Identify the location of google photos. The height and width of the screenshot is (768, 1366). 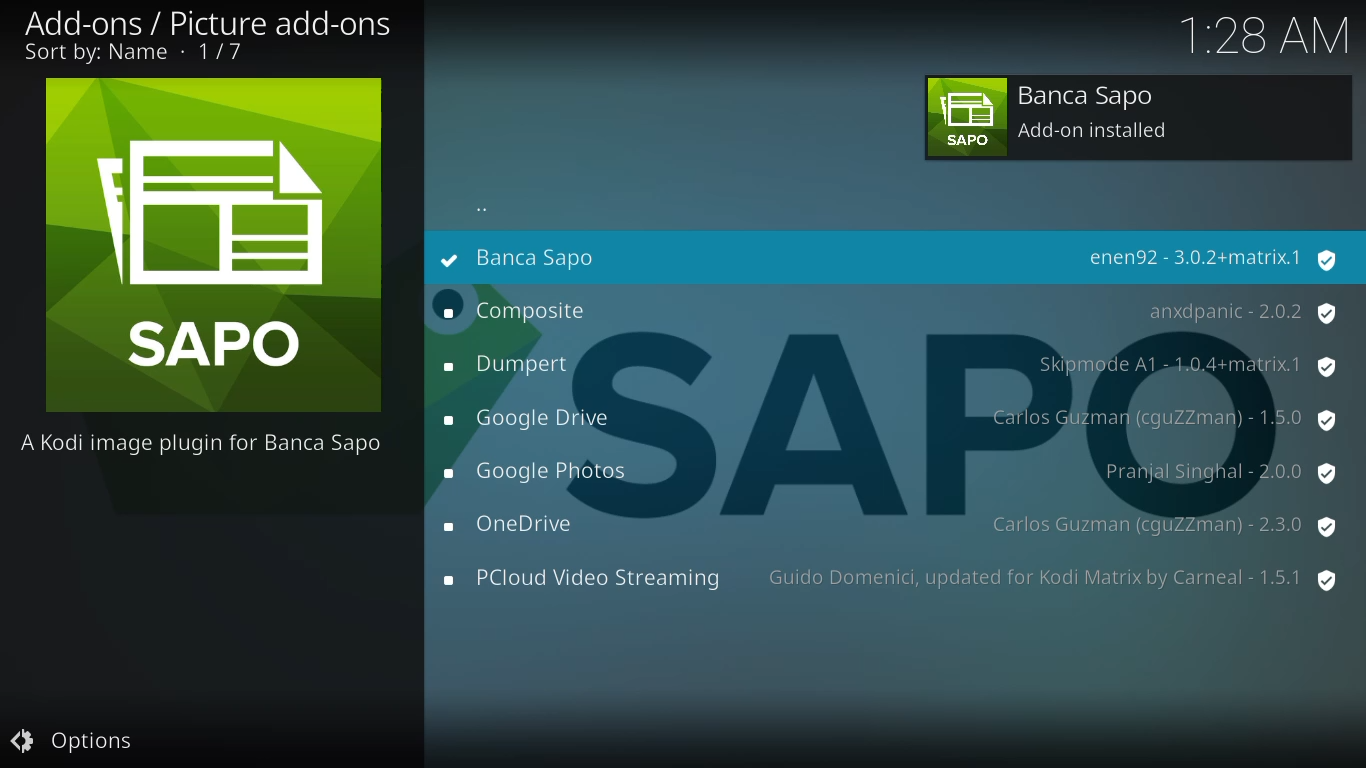
(540, 473).